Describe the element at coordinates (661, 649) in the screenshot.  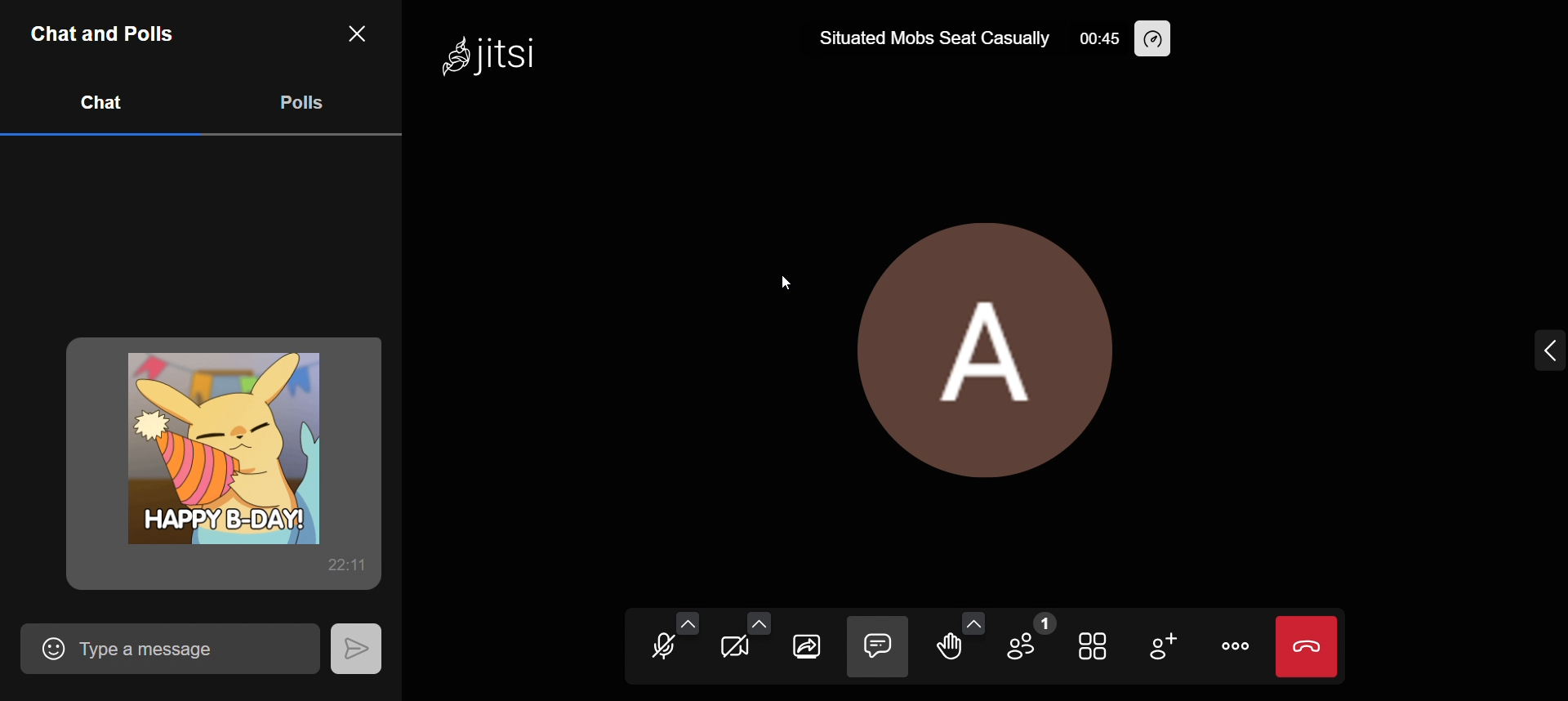
I see `unmute mic` at that location.